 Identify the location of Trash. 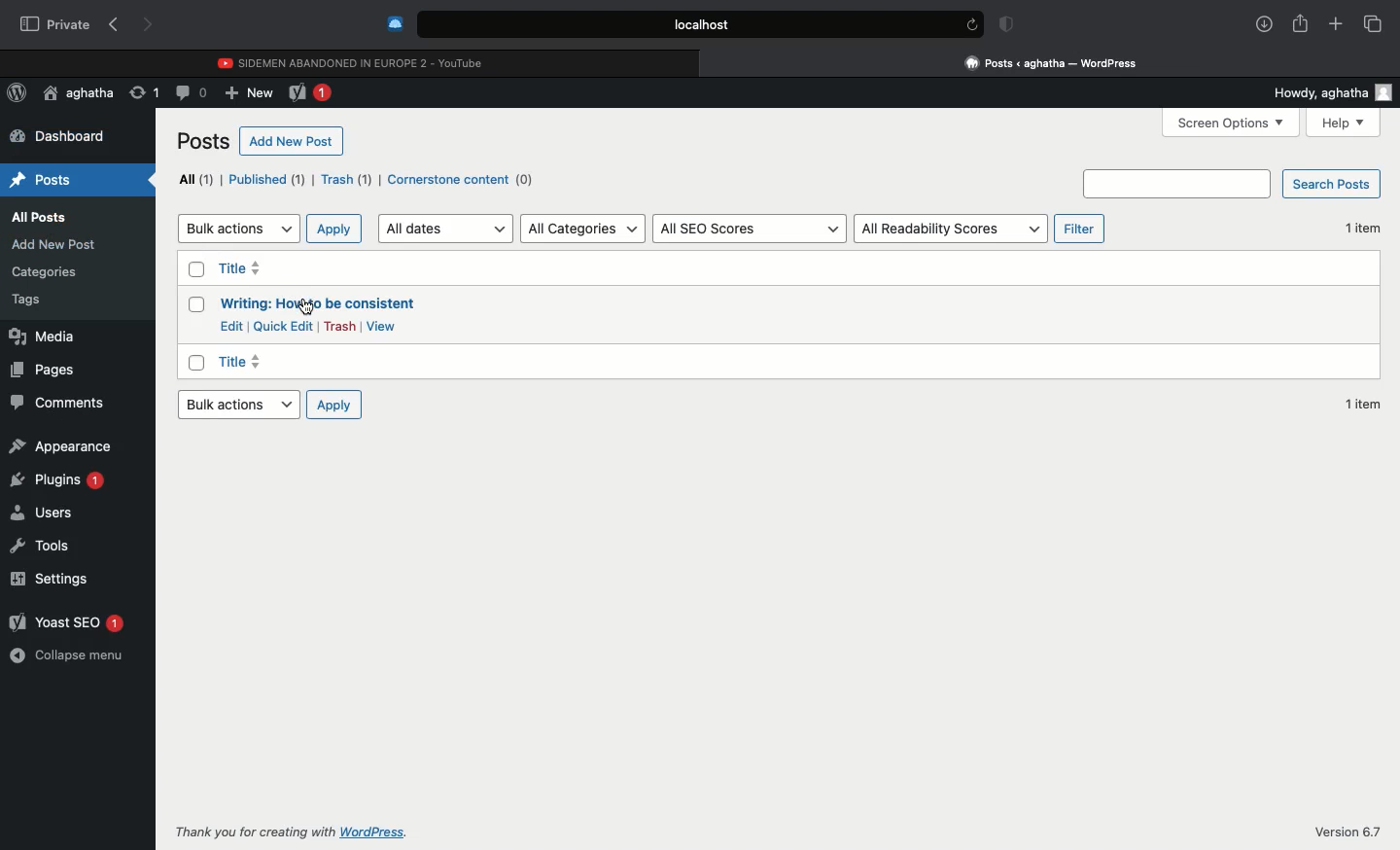
(340, 326).